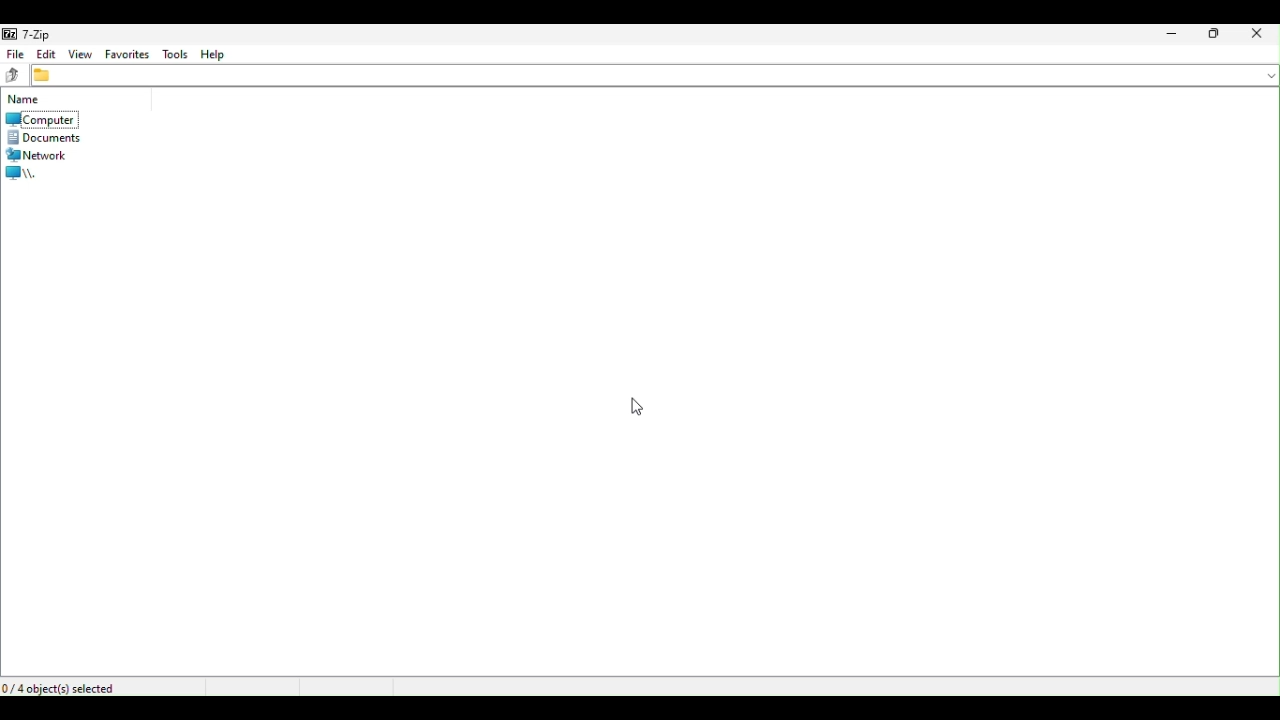  I want to click on Favourite, so click(127, 52).